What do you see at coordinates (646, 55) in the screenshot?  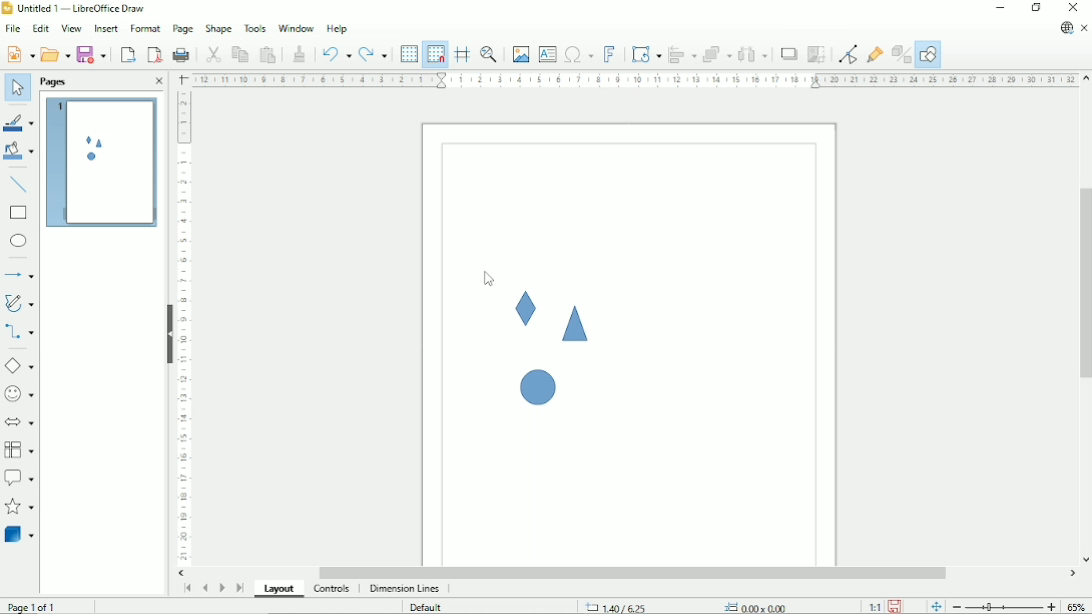 I see `Transformations` at bounding box center [646, 55].